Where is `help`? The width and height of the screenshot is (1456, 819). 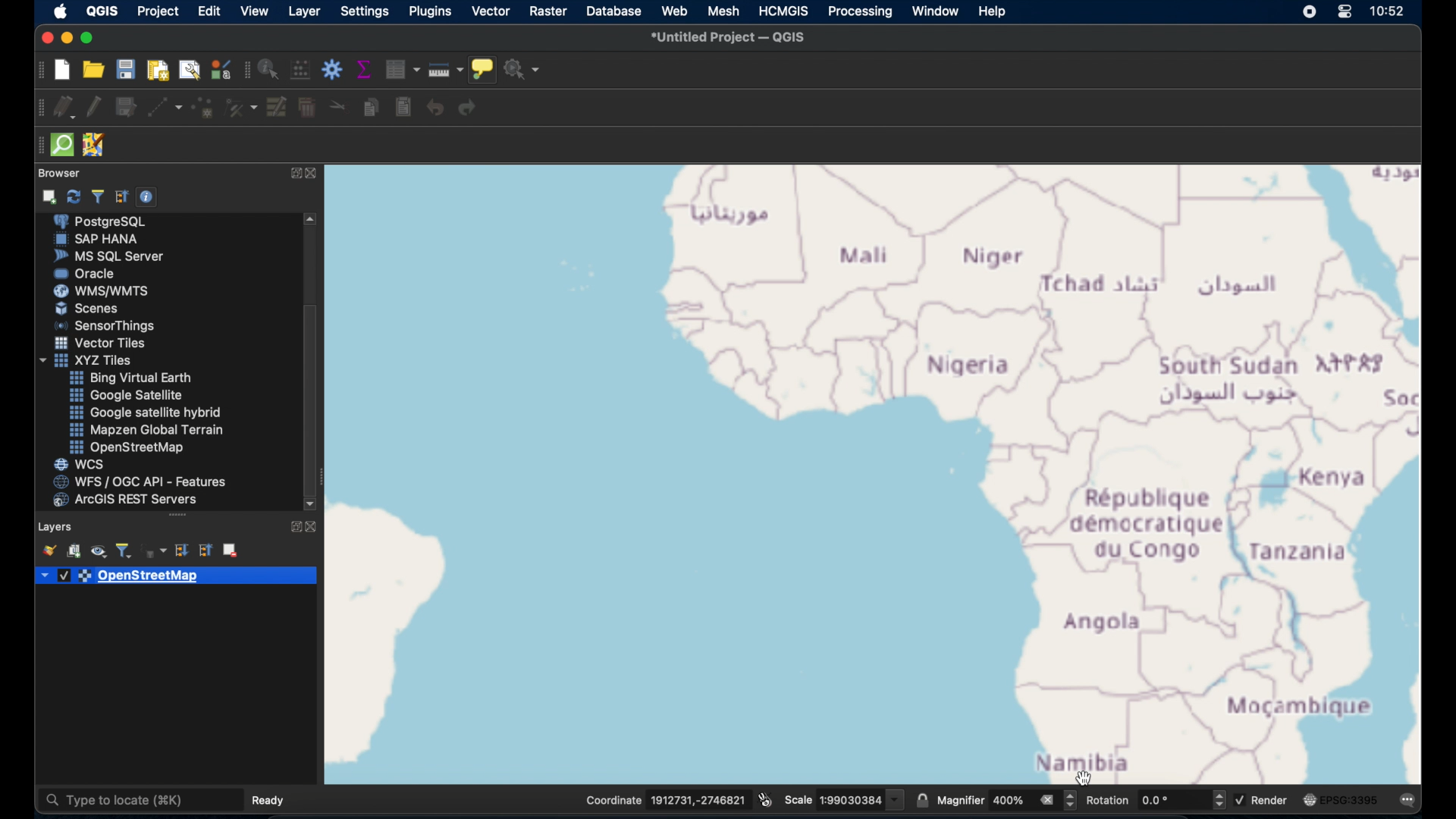 help is located at coordinates (993, 12).